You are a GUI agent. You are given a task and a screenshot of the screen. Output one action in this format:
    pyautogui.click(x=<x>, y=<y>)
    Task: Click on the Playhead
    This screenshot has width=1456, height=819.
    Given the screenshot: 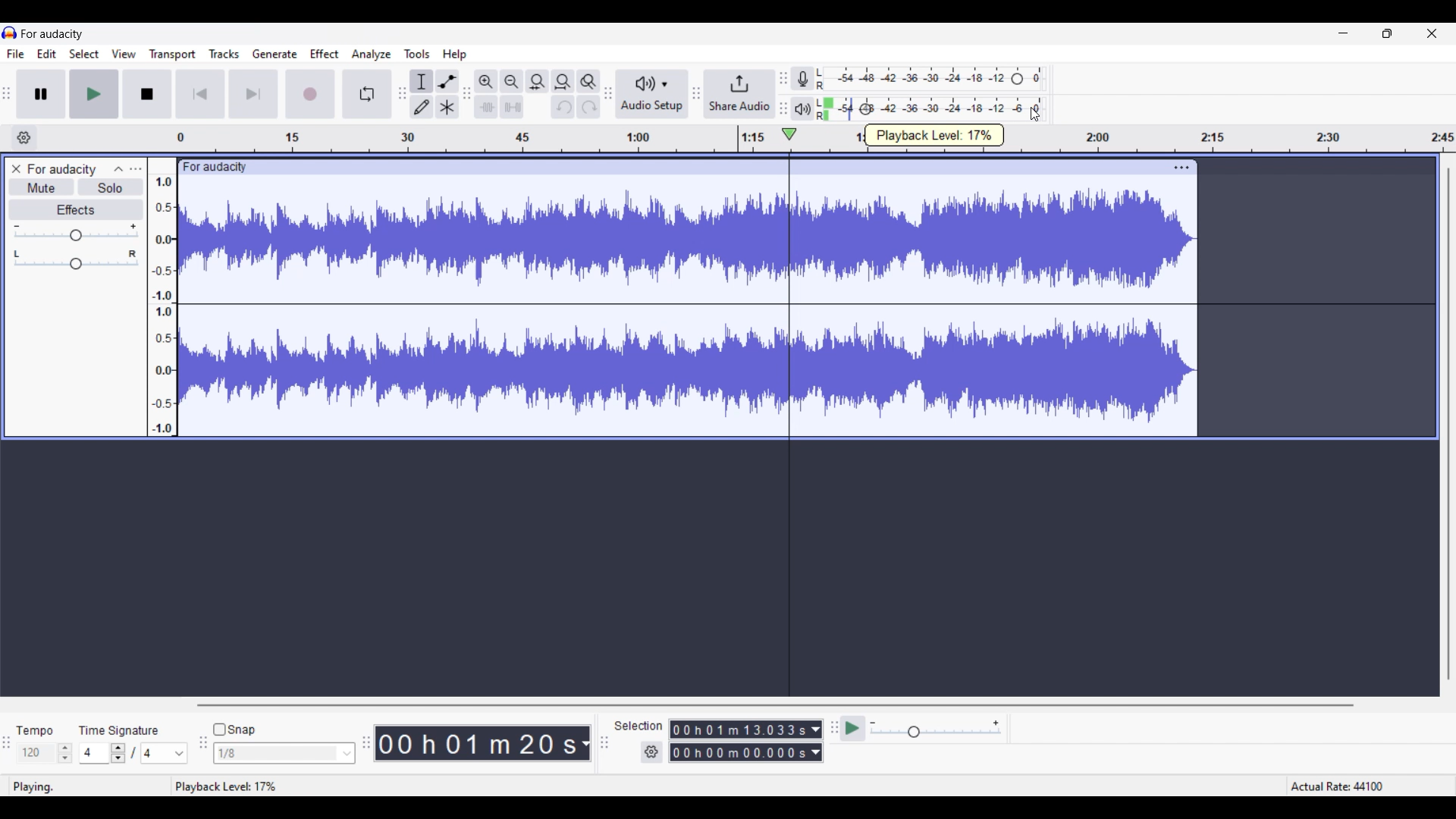 What is the action you would take?
    pyautogui.click(x=789, y=411)
    